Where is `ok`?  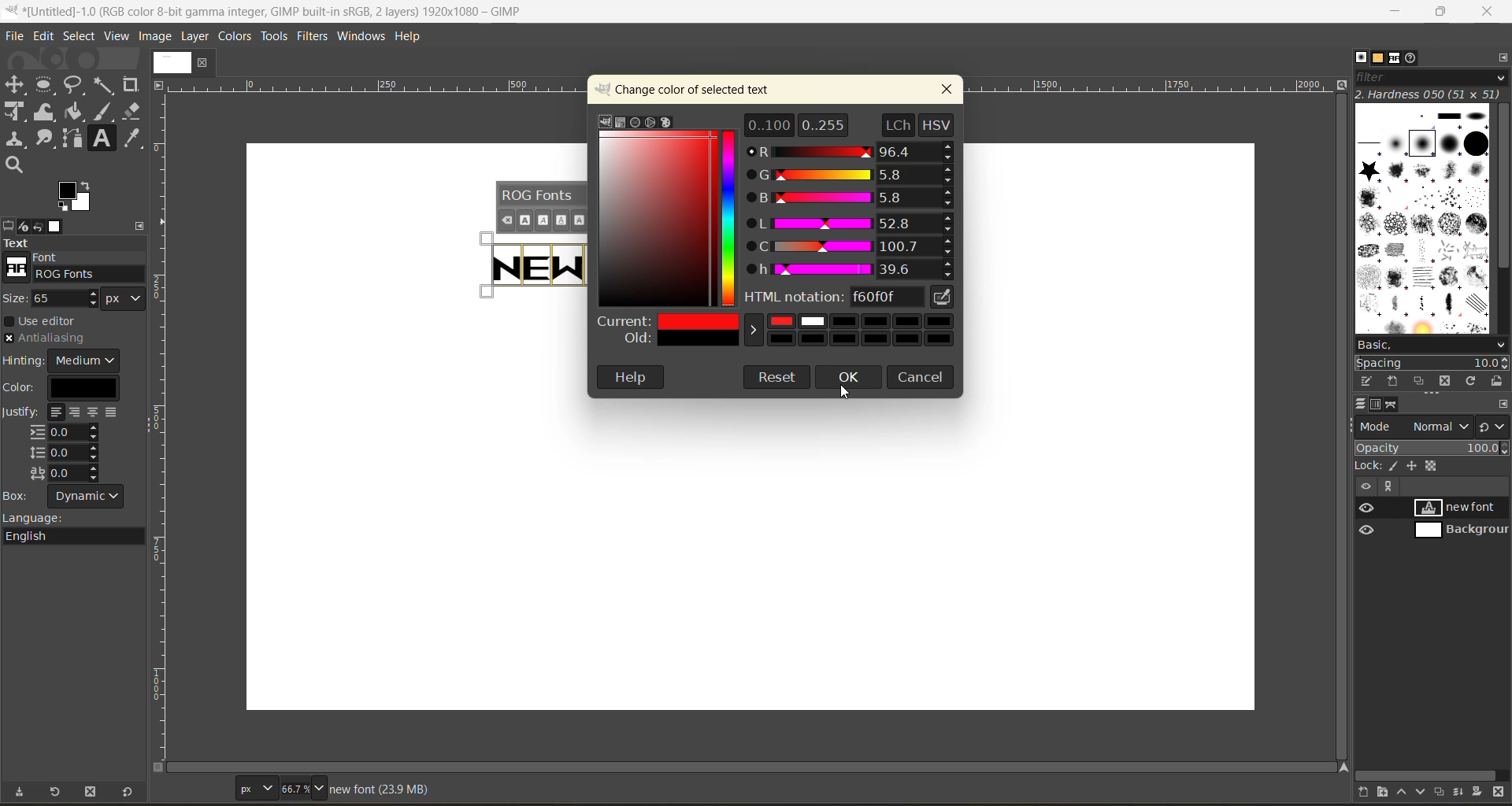 ok is located at coordinates (851, 378).